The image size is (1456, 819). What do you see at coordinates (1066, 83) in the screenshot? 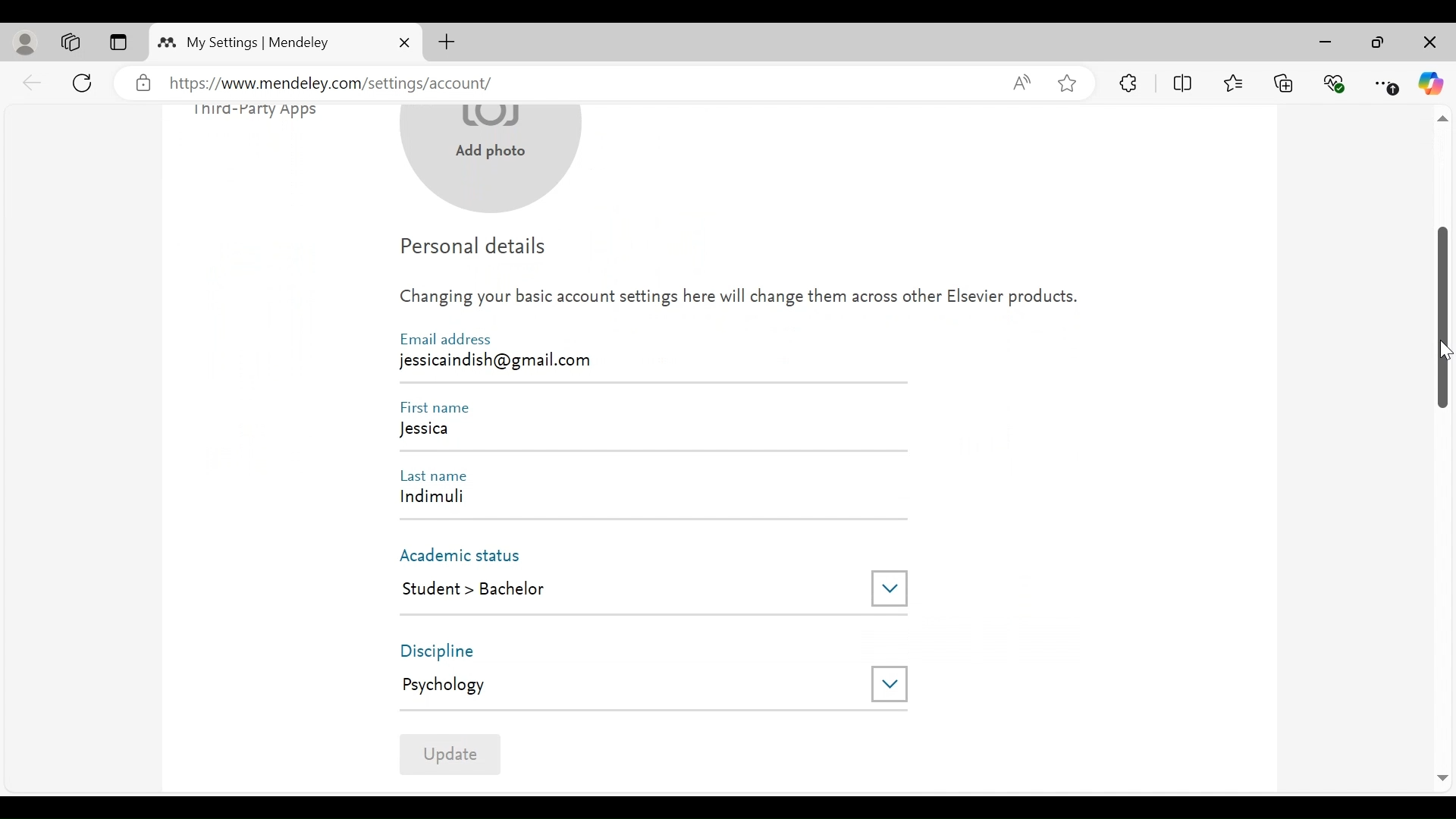
I see `Add this page to Favorites` at bounding box center [1066, 83].